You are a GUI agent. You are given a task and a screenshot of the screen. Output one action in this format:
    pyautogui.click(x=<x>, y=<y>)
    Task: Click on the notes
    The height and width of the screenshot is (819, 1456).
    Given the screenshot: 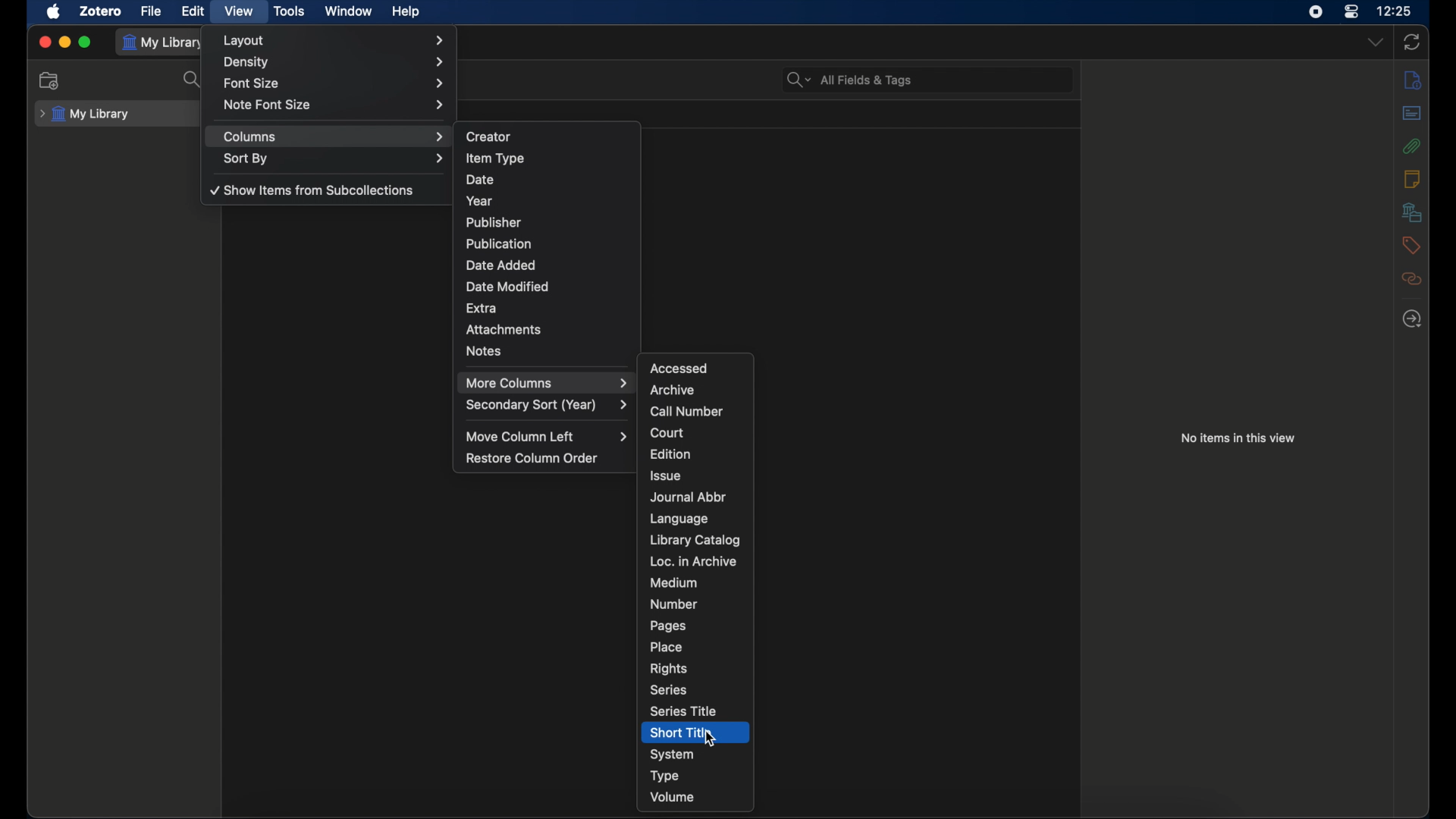 What is the action you would take?
    pyautogui.click(x=1414, y=179)
    